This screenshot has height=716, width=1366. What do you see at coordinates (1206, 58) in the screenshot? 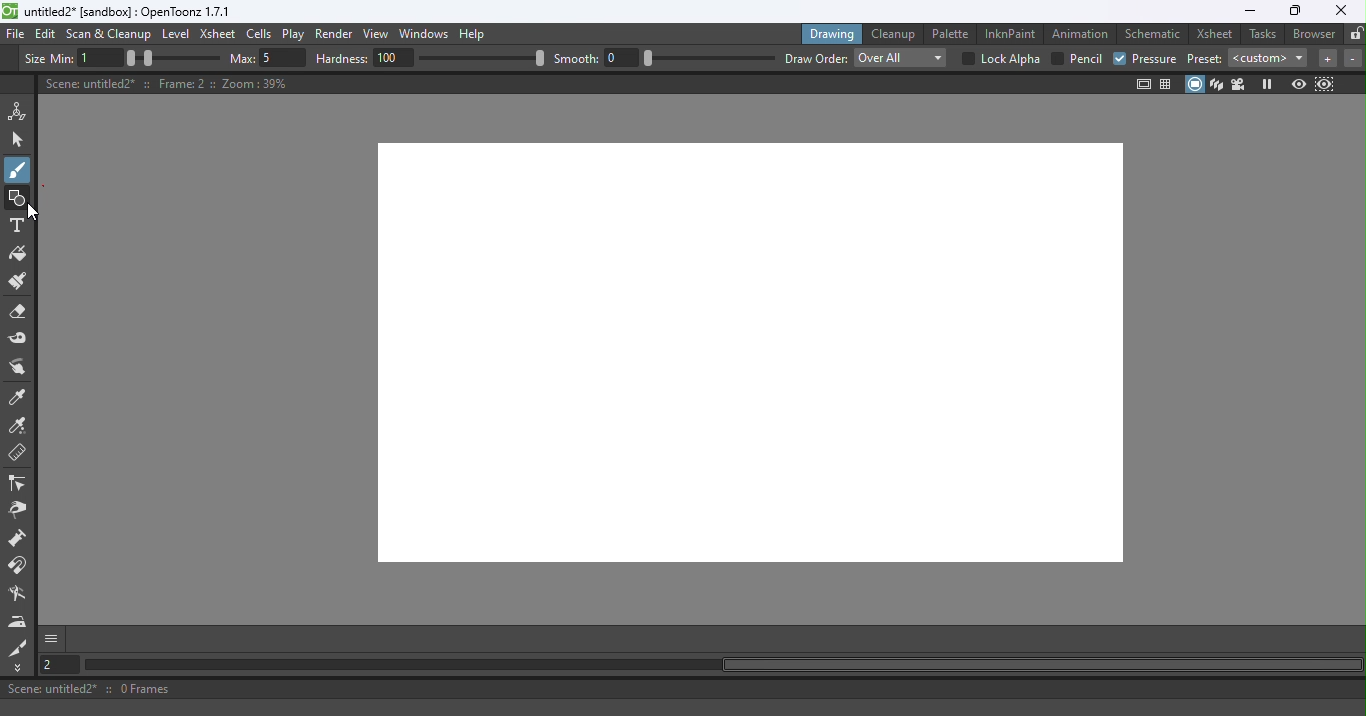
I see `Preset` at bounding box center [1206, 58].